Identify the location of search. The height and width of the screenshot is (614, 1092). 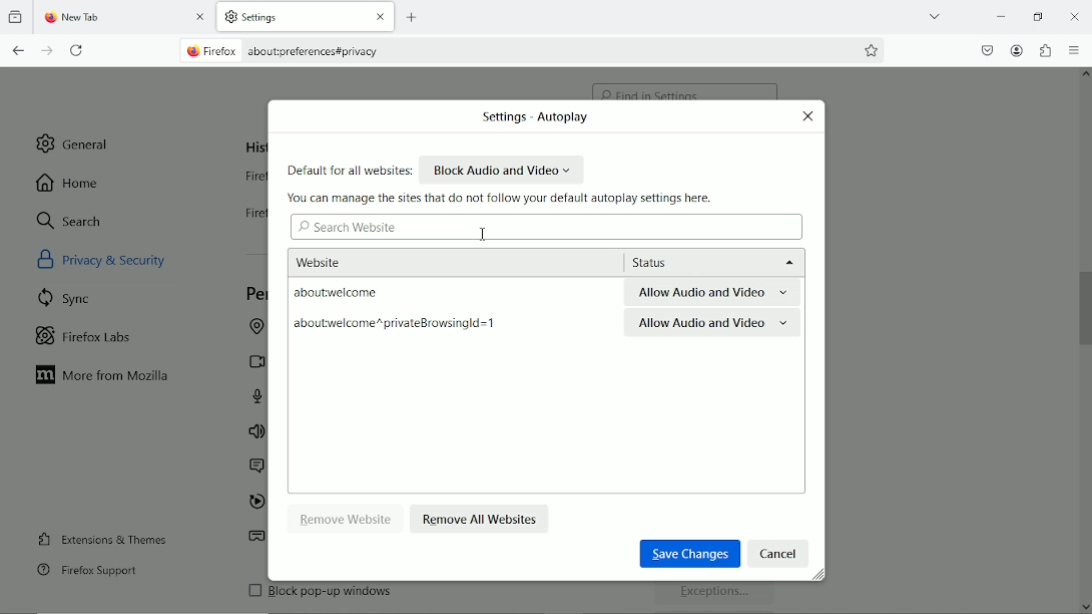
(70, 220).